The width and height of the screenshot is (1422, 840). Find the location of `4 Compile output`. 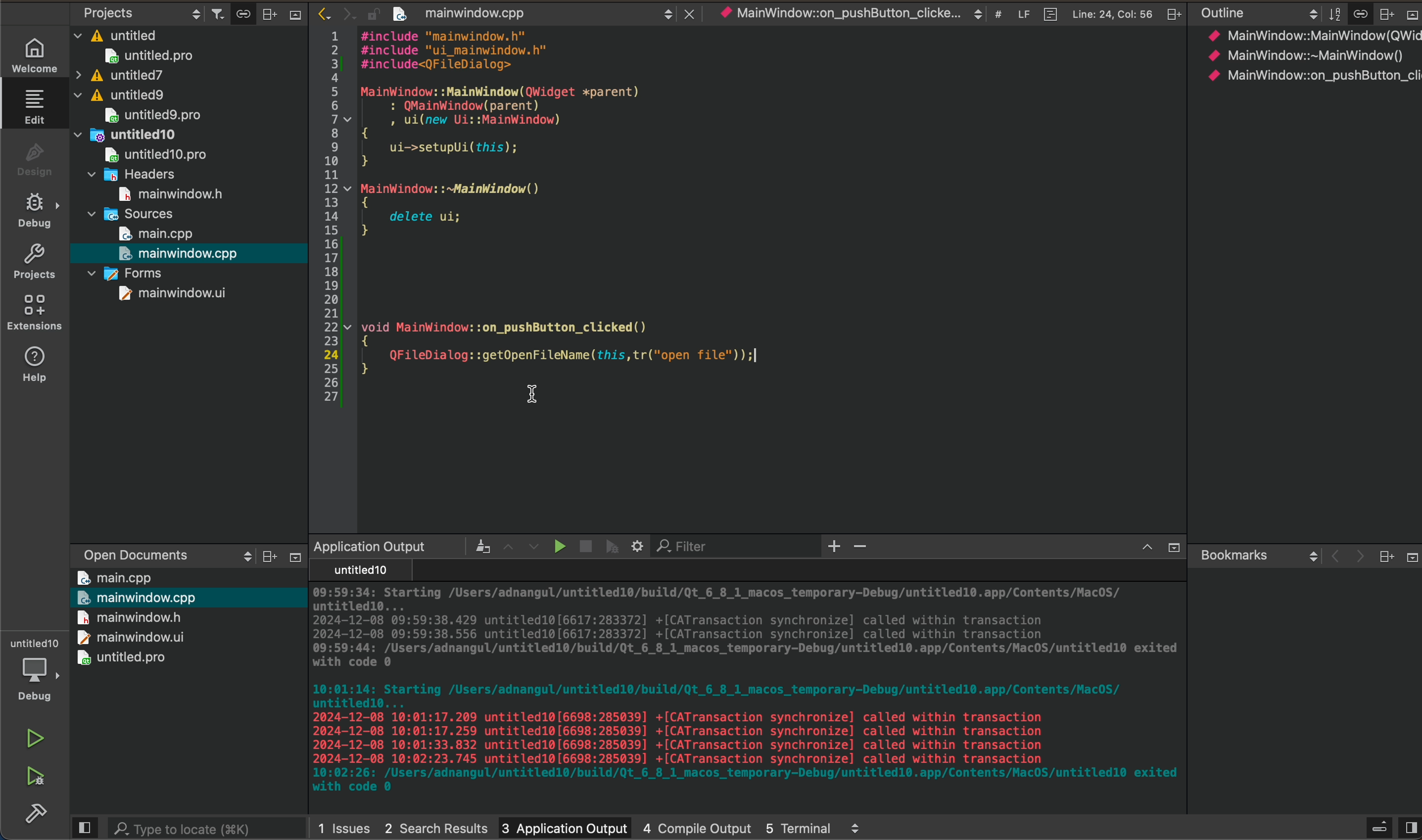

4 Compile output is located at coordinates (697, 825).